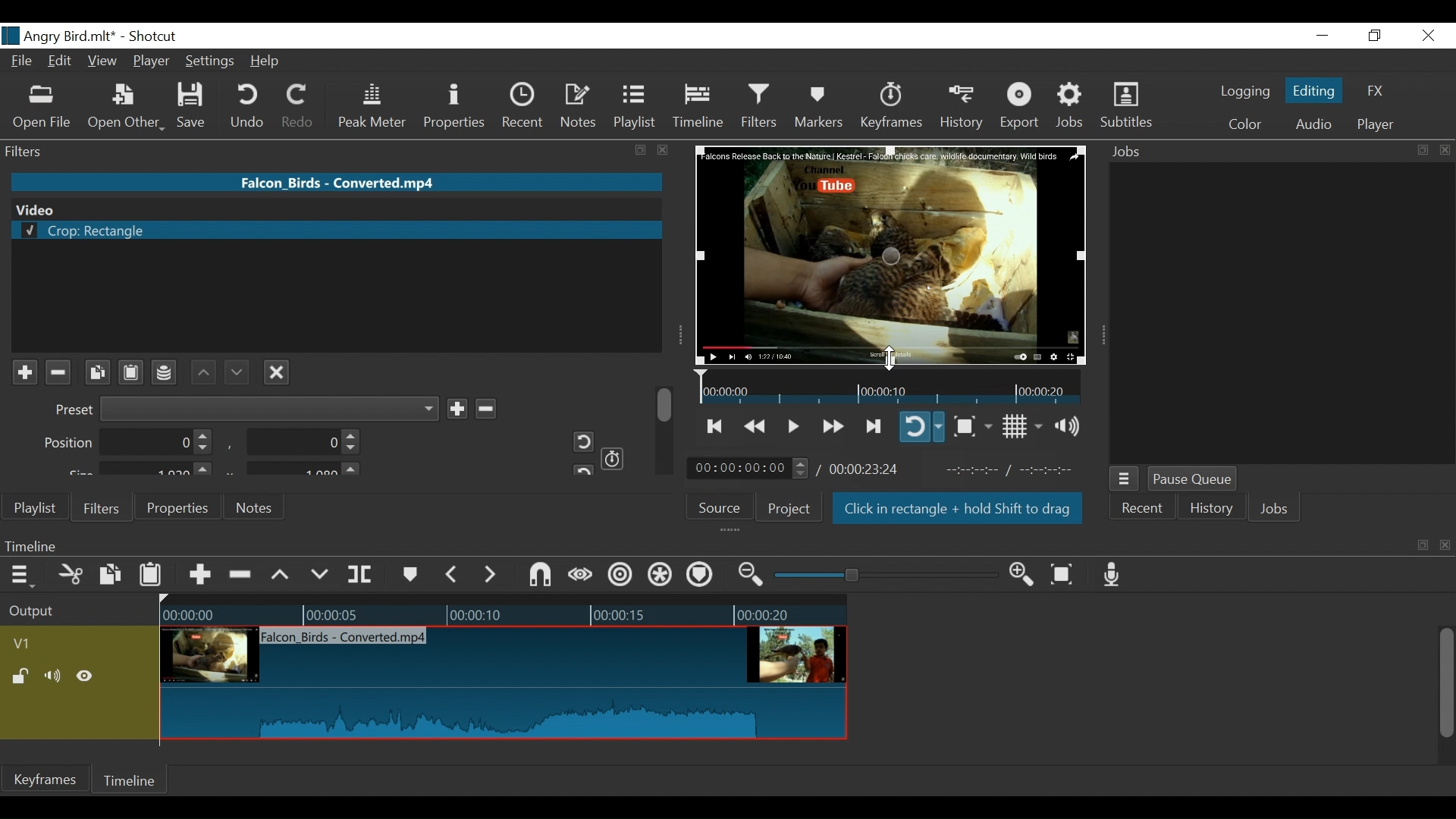 The height and width of the screenshot is (819, 1456). Describe the element at coordinates (45, 779) in the screenshot. I see `Keyframes` at that location.